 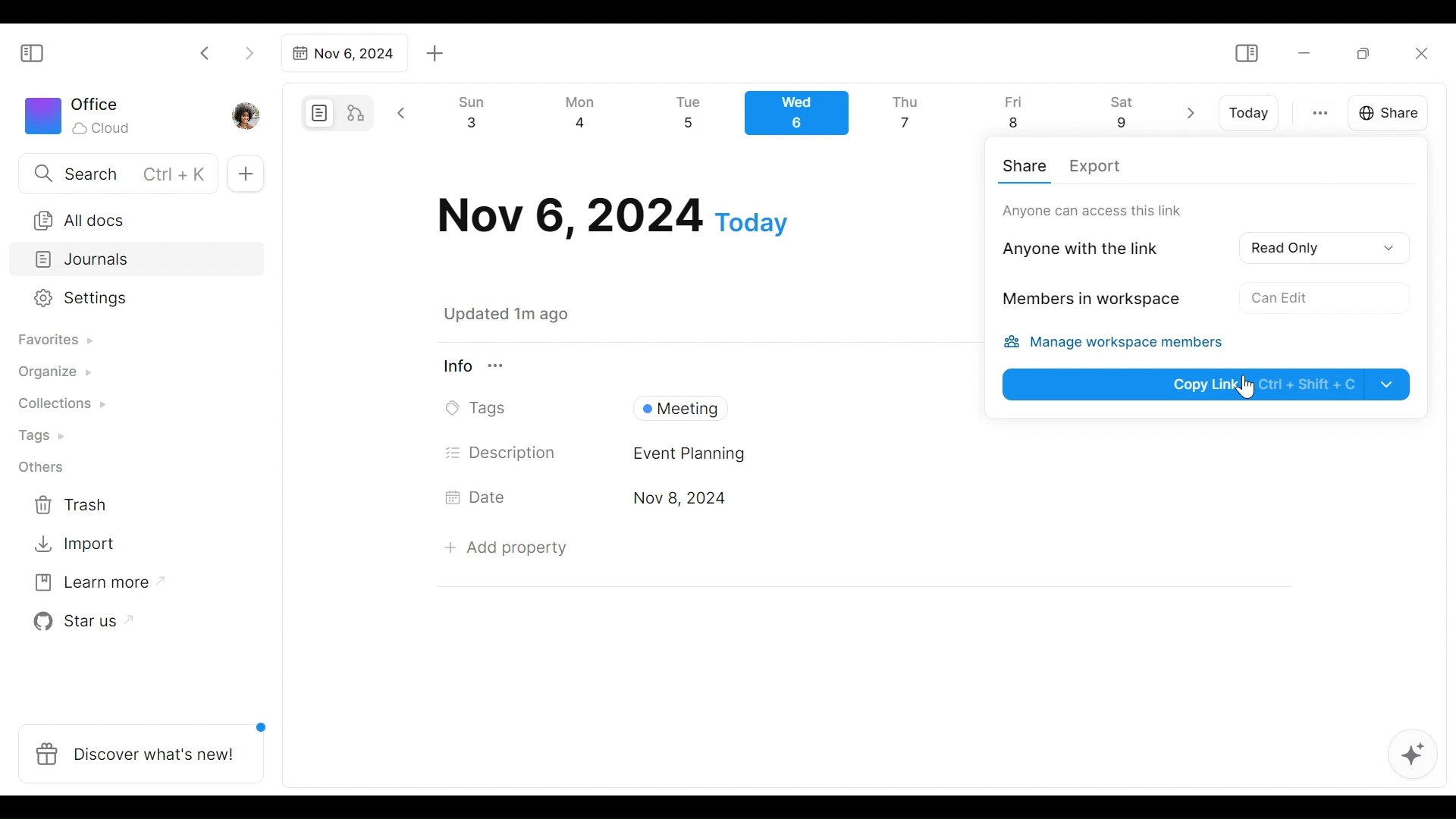 I want to click on Share, so click(x=1028, y=165).